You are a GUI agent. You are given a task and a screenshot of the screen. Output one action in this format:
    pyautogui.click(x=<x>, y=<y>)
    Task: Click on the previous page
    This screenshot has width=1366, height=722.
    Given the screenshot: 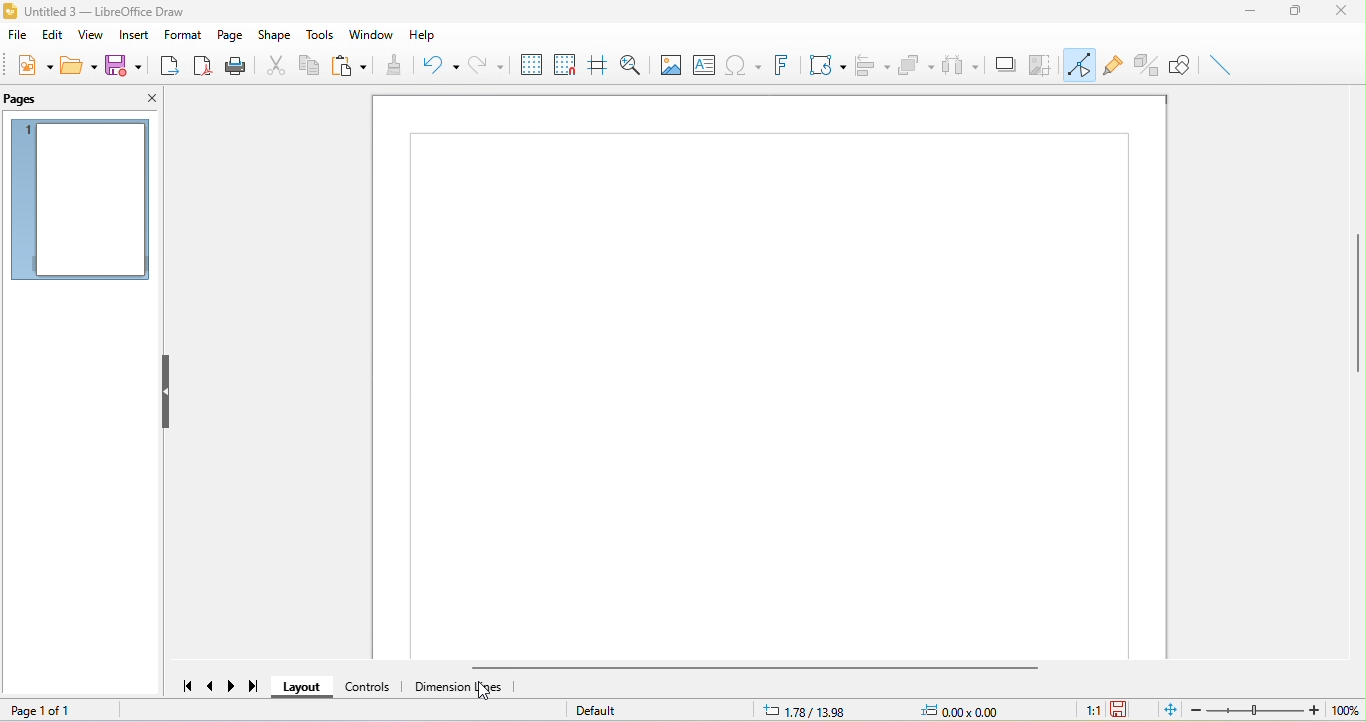 What is the action you would take?
    pyautogui.click(x=211, y=688)
    